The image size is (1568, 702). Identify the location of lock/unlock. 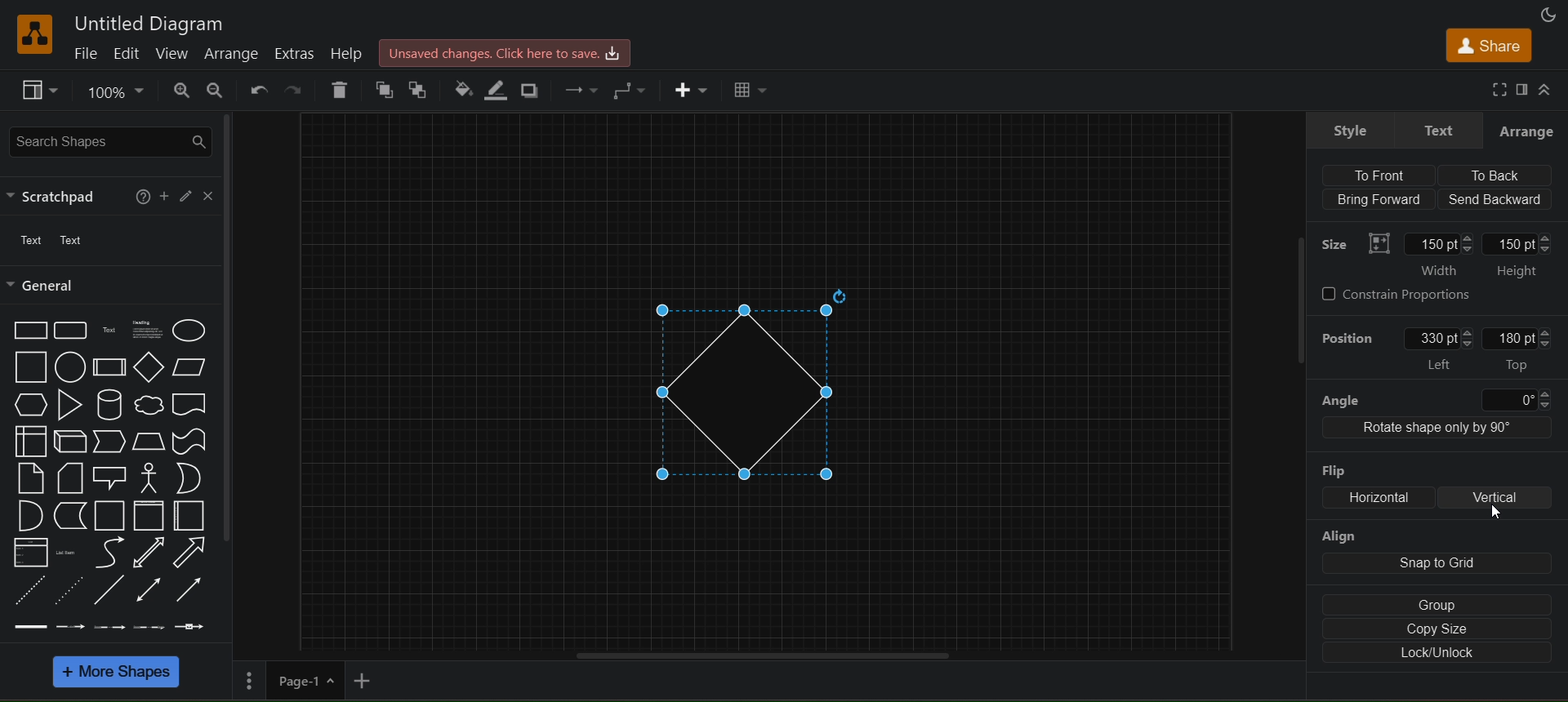
(1434, 653).